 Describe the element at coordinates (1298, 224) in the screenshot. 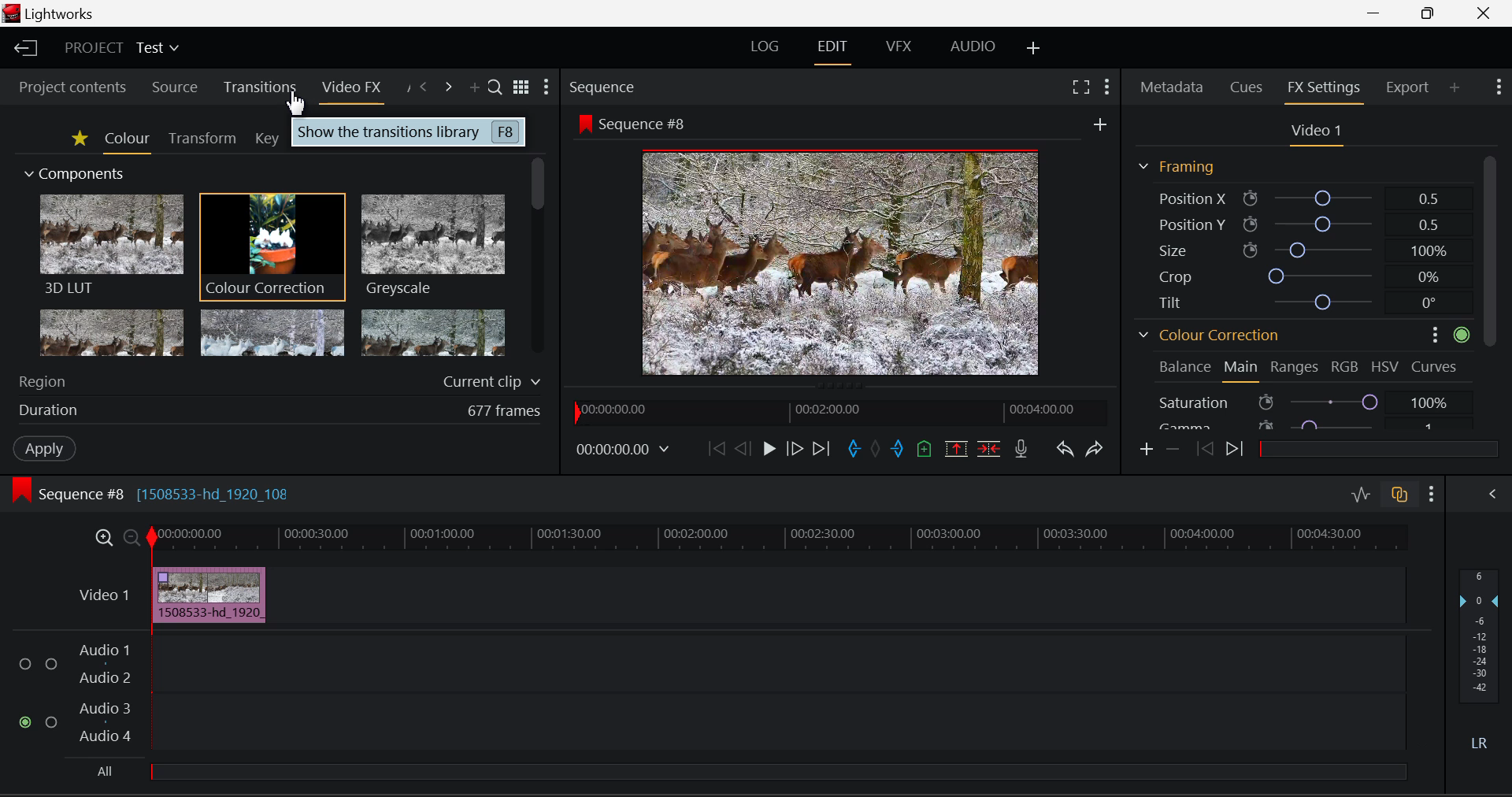

I see `Position Y` at that location.